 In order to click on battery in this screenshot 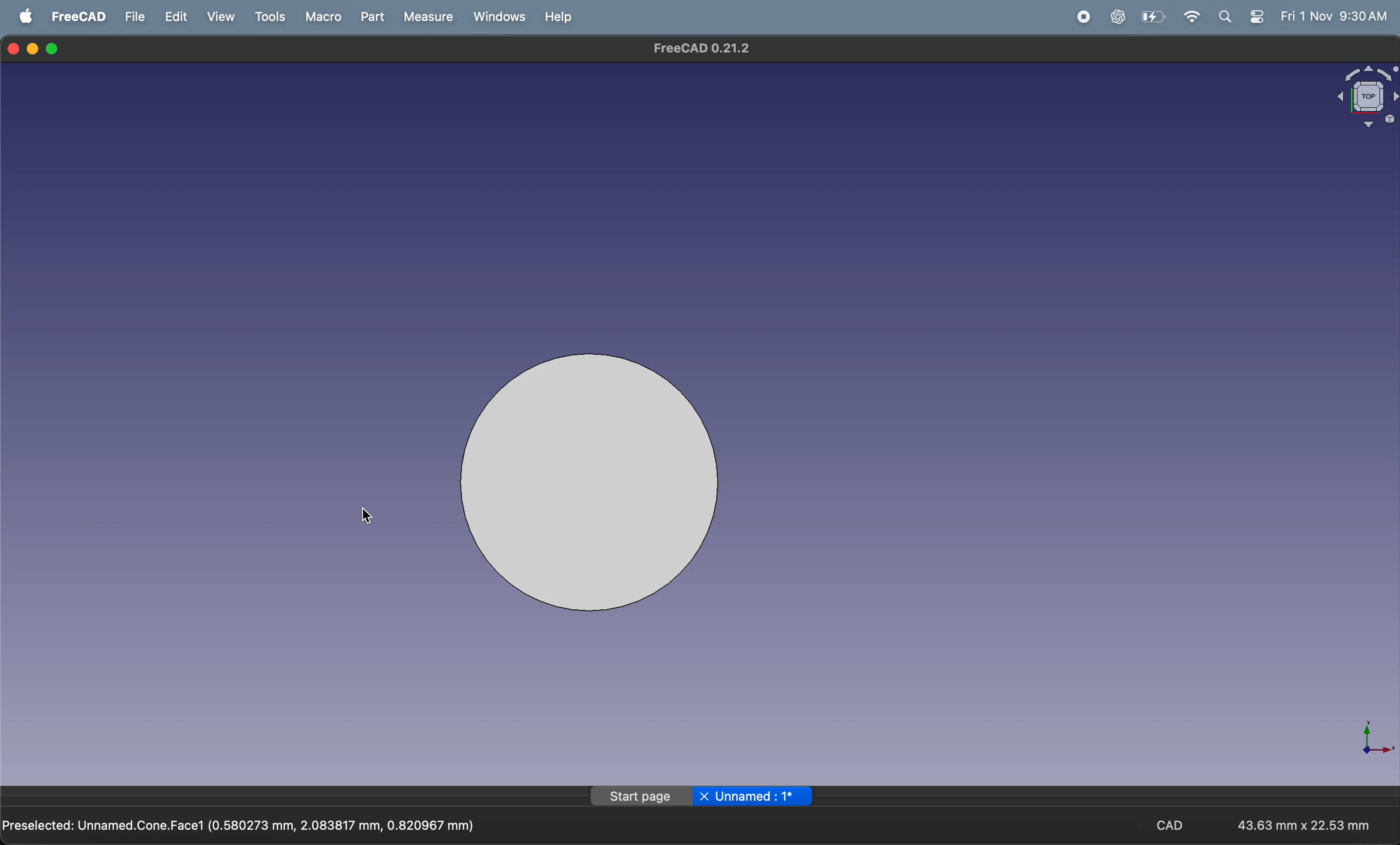, I will do `click(1153, 16)`.